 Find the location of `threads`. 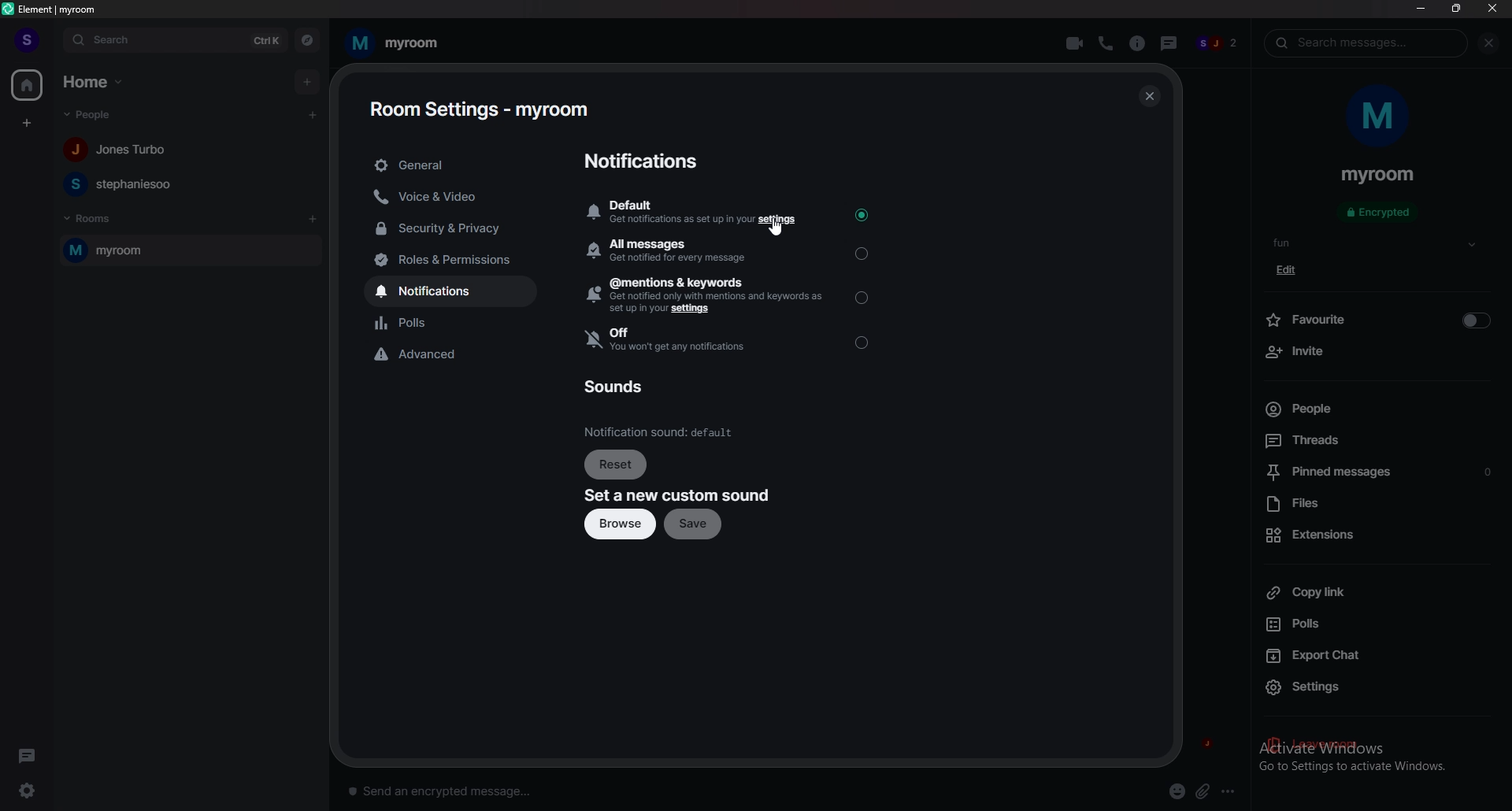

threads is located at coordinates (1166, 41).